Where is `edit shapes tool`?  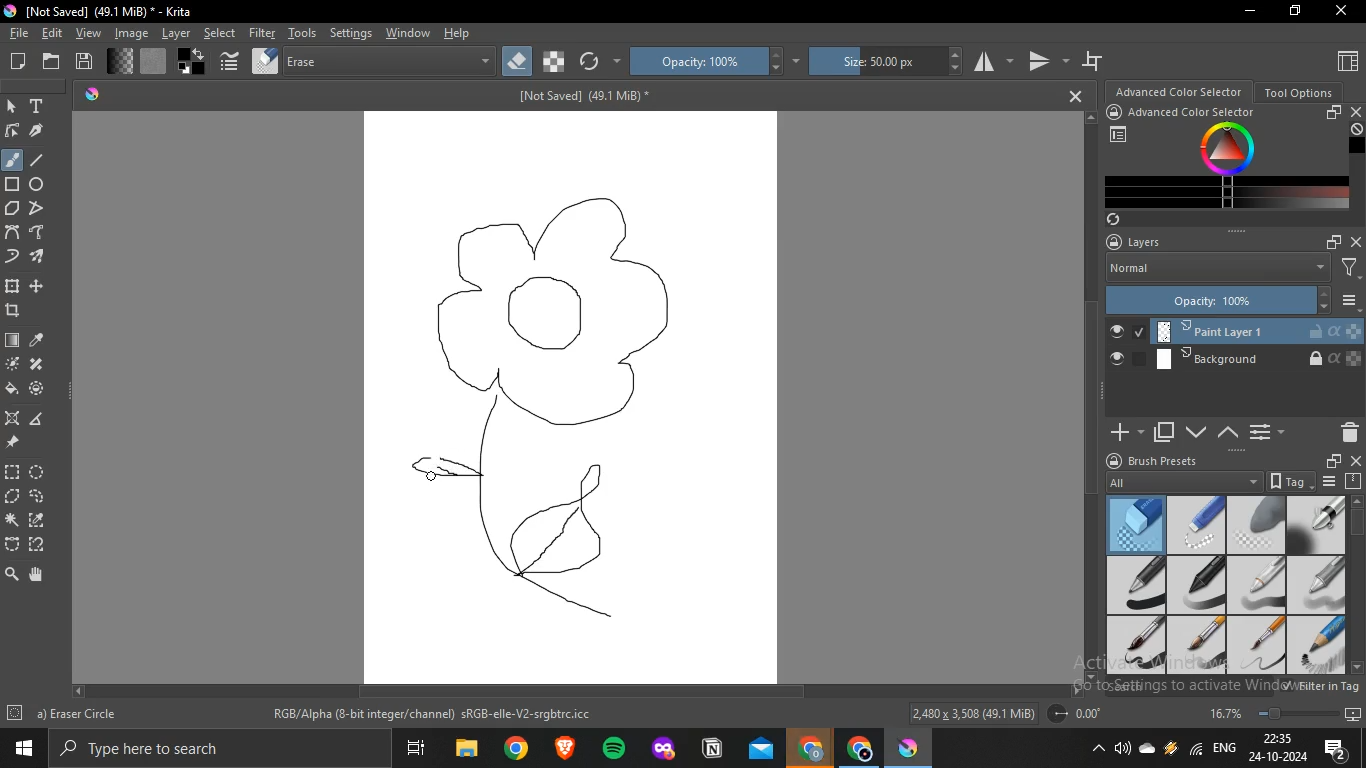 edit shapes tool is located at coordinates (13, 131).